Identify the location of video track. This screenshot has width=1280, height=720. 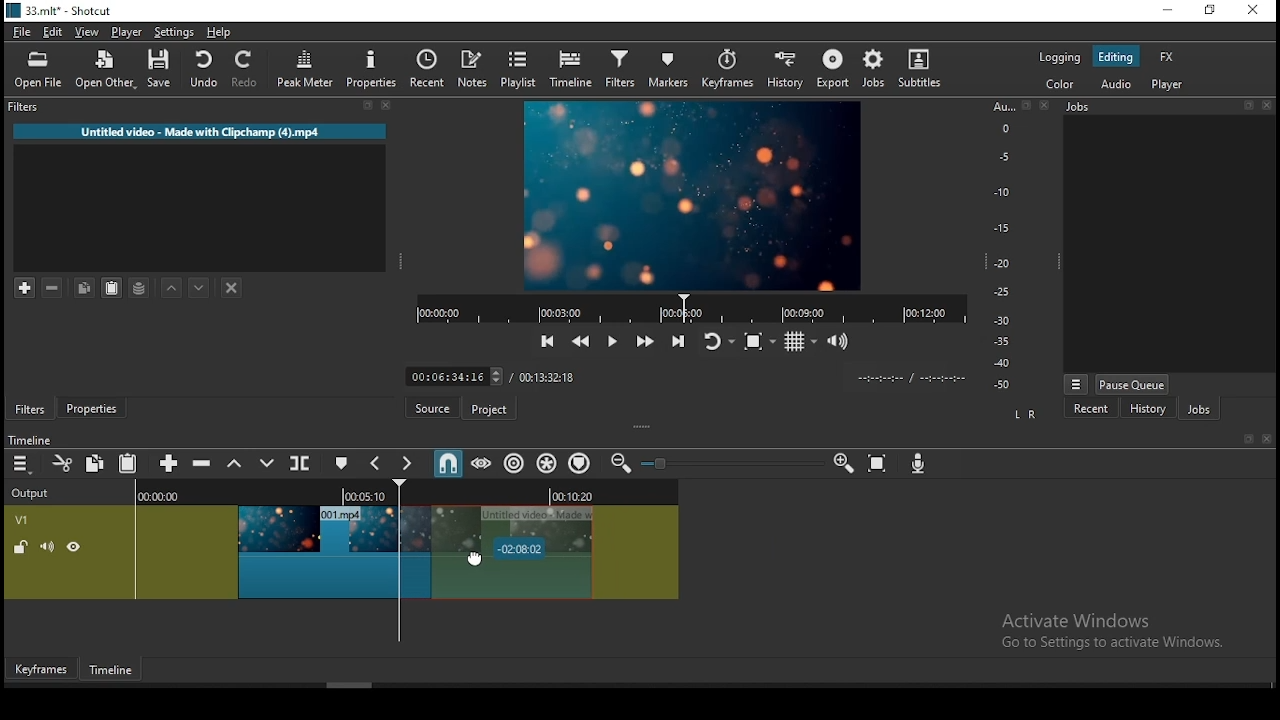
(342, 540).